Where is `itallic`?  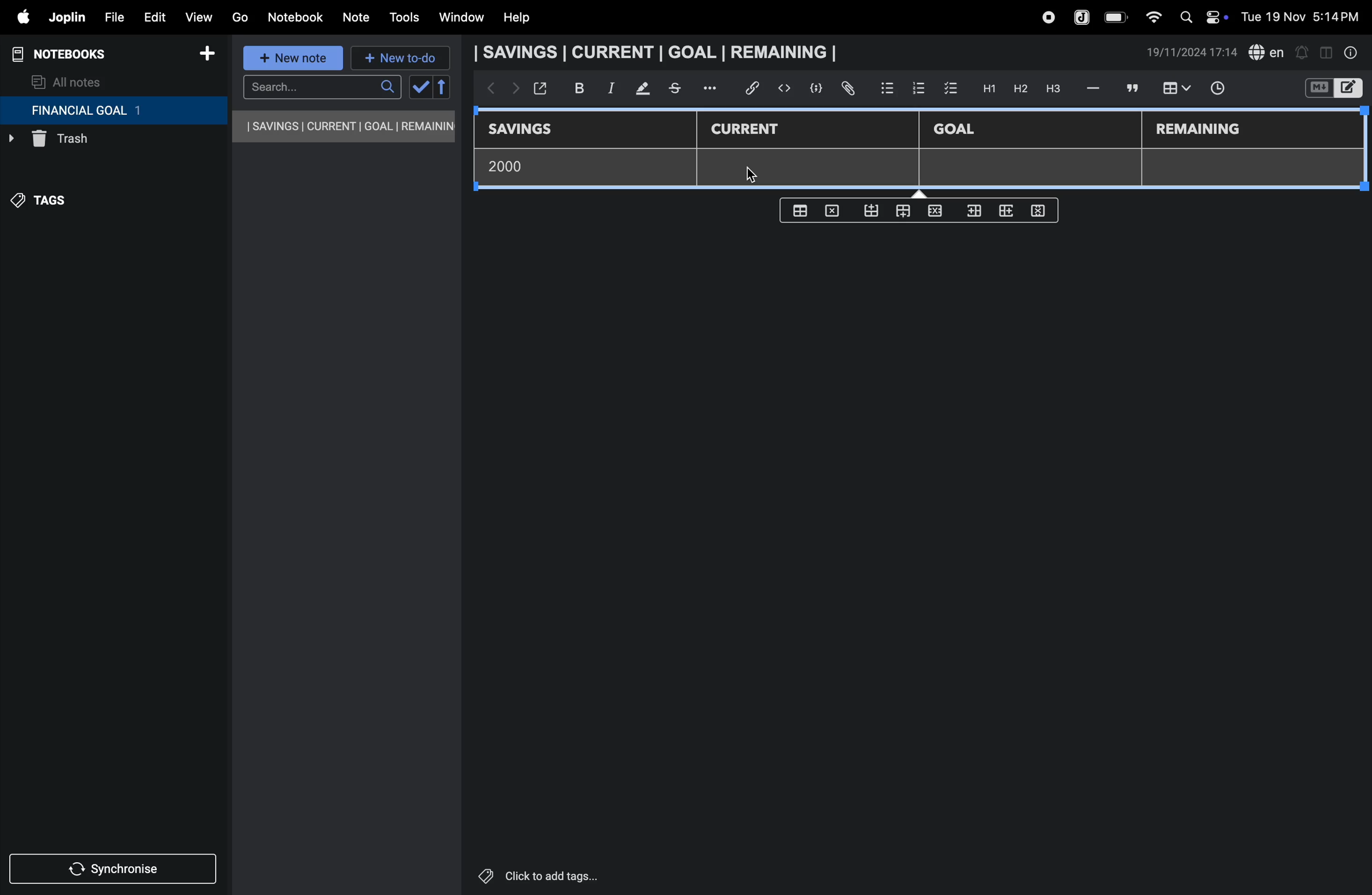 itallic is located at coordinates (609, 88).